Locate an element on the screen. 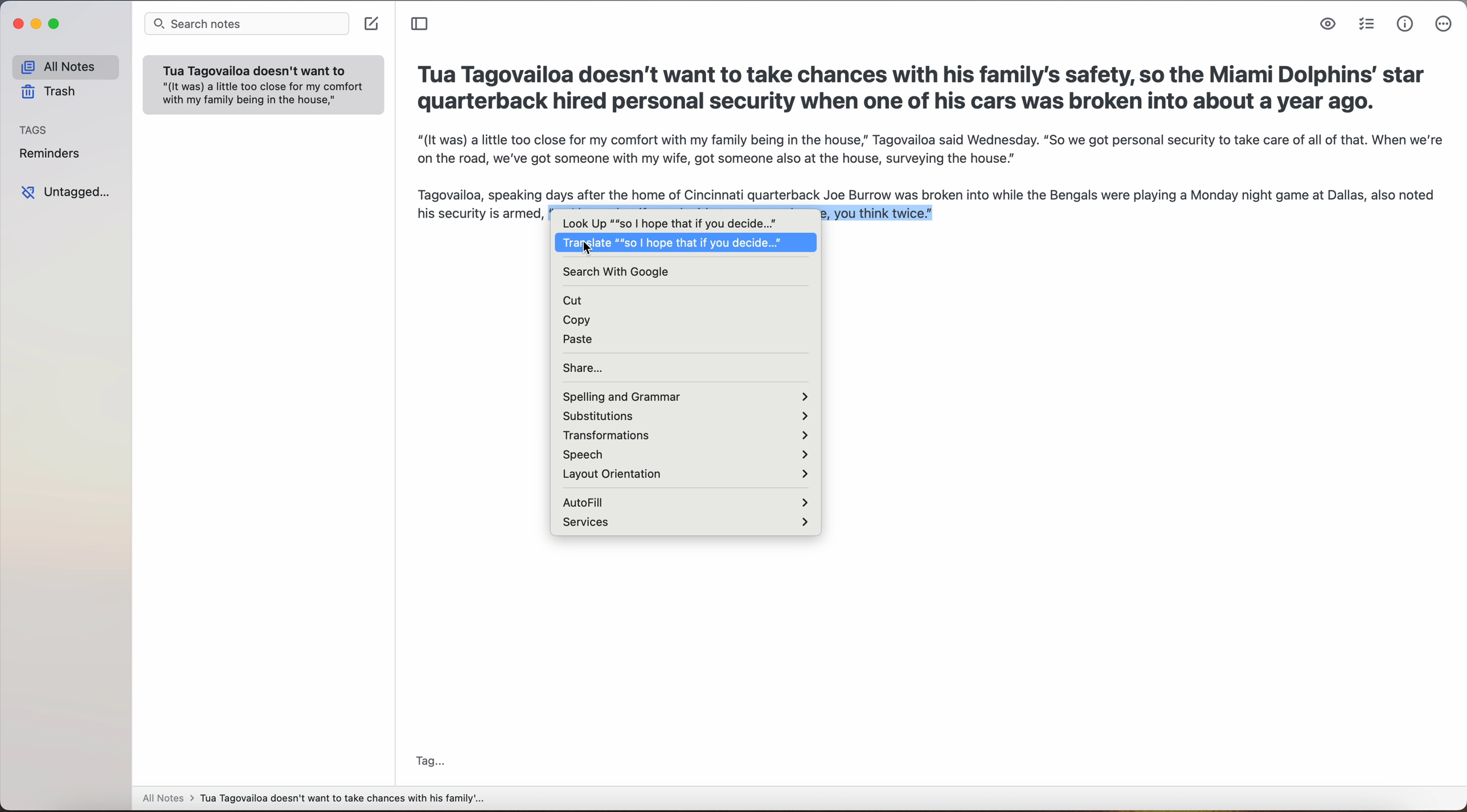 This screenshot has height=812, width=1467. minimize is located at coordinates (38, 28).